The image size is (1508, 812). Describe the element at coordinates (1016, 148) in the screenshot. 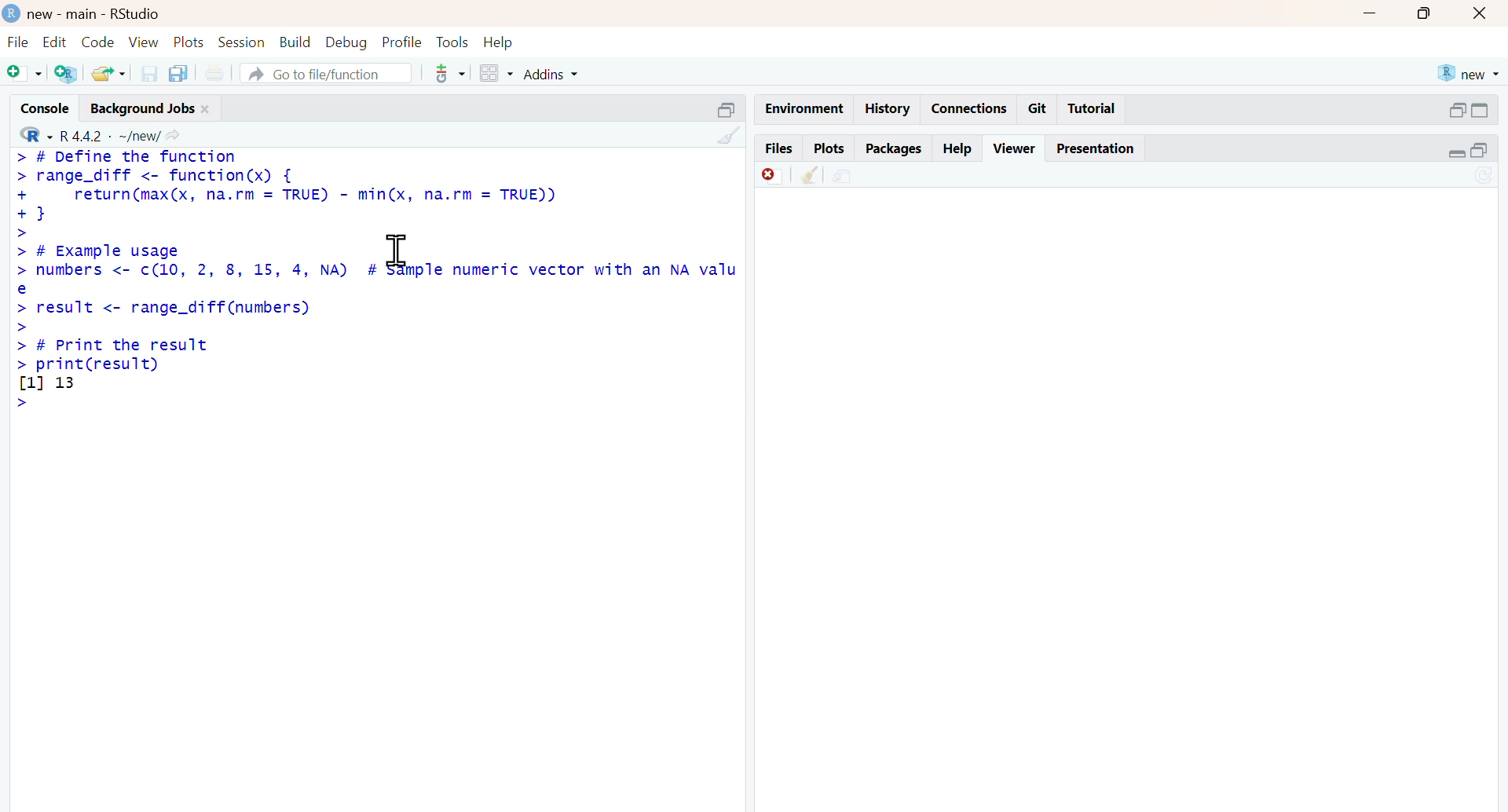

I see `viewer` at that location.